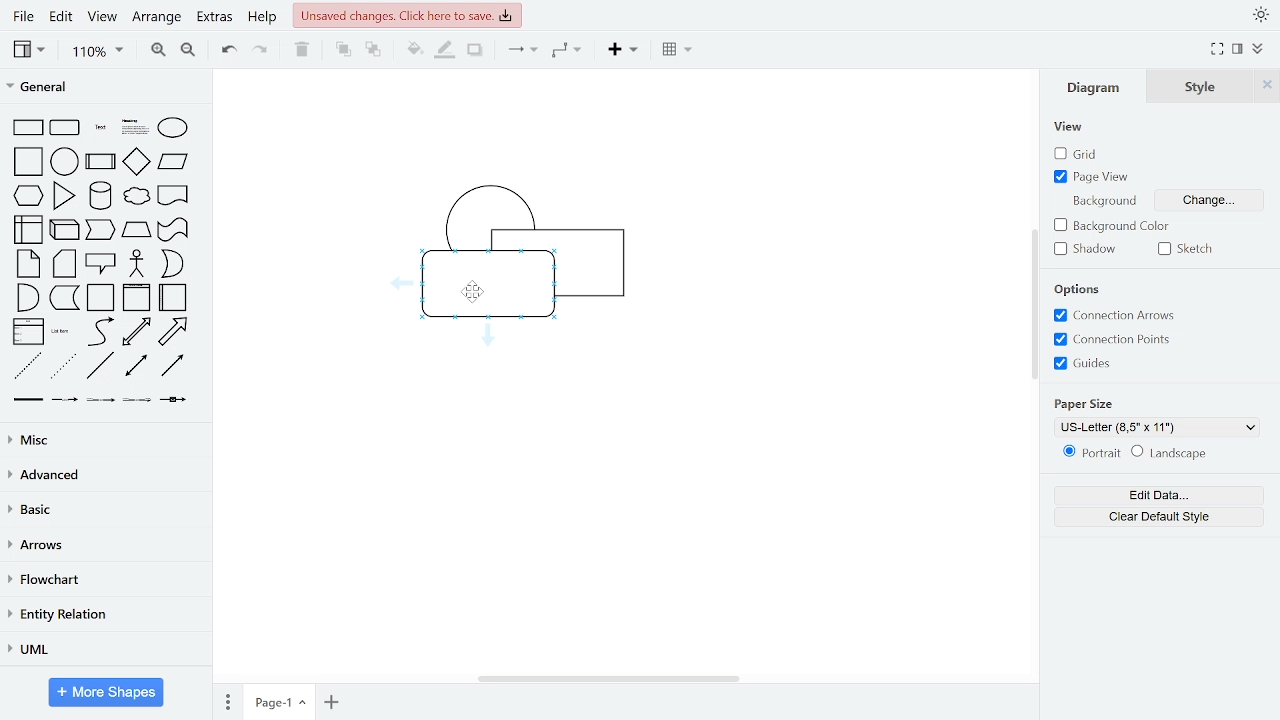  Describe the element at coordinates (61, 16) in the screenshot. I see `edit` at that location.